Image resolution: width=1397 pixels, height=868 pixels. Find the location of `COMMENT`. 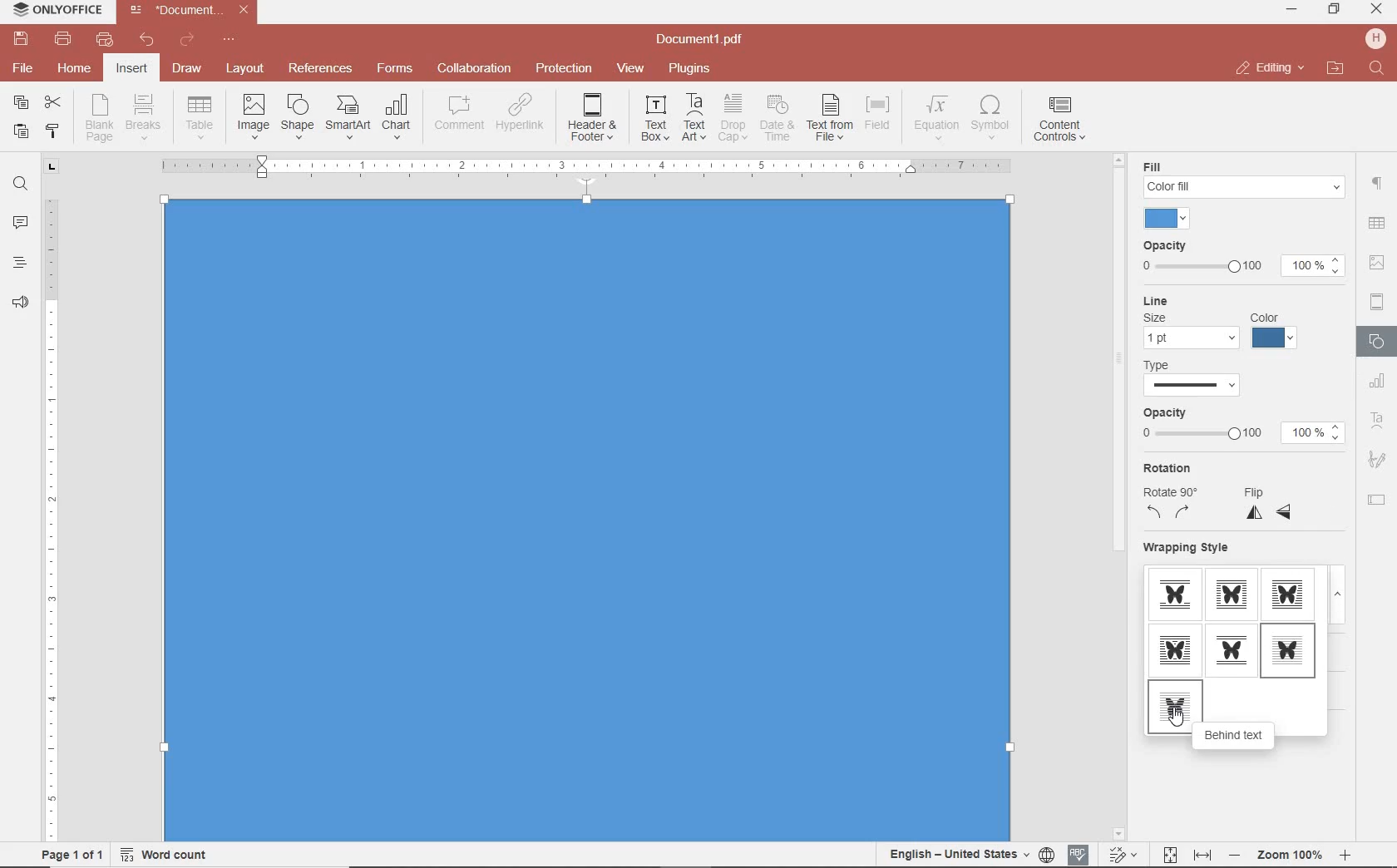

COMMENT is located at coordinates (461, 113).